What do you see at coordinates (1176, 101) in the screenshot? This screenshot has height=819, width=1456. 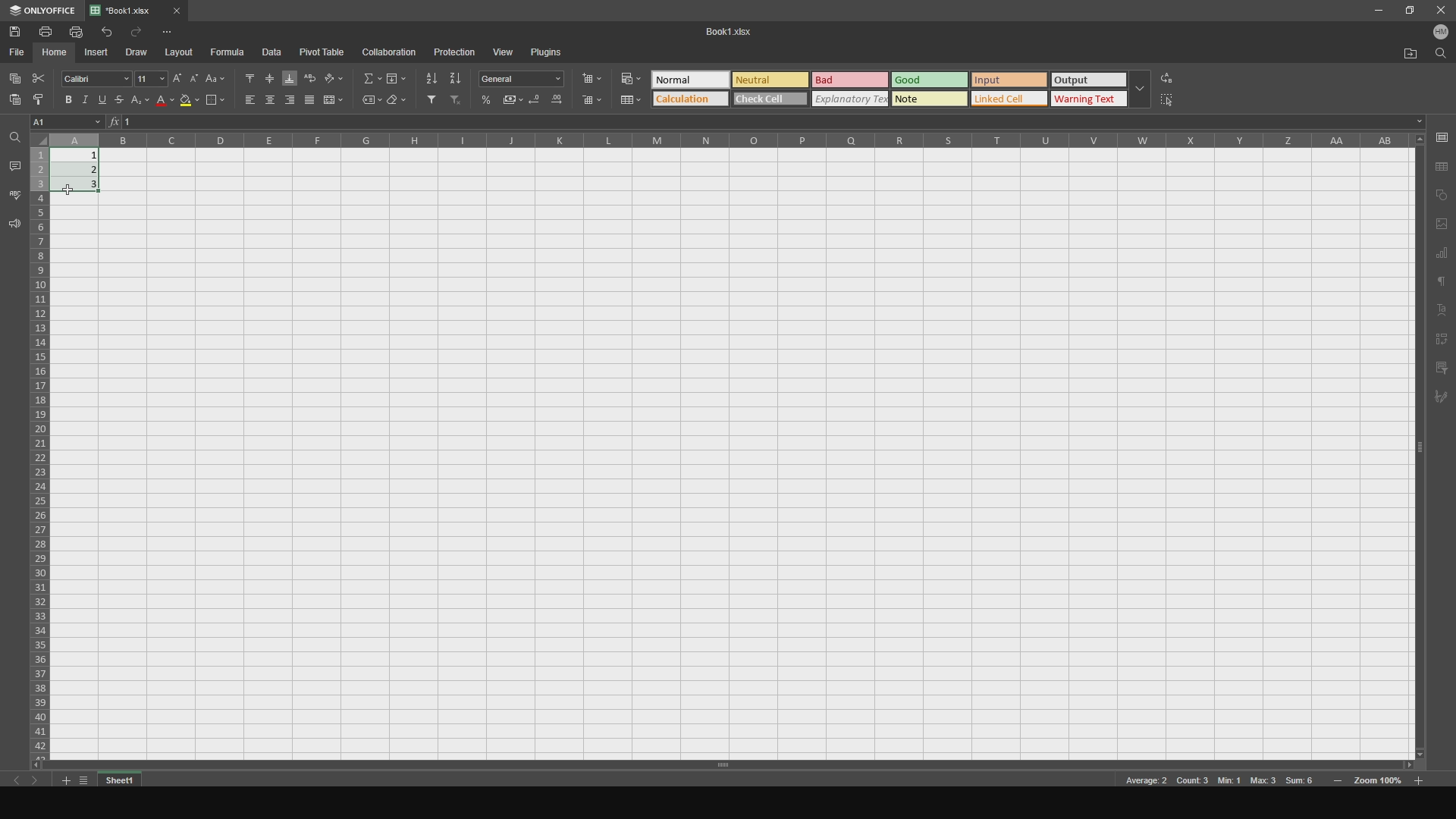 I see `select all` at bounding box center [1176, 101].